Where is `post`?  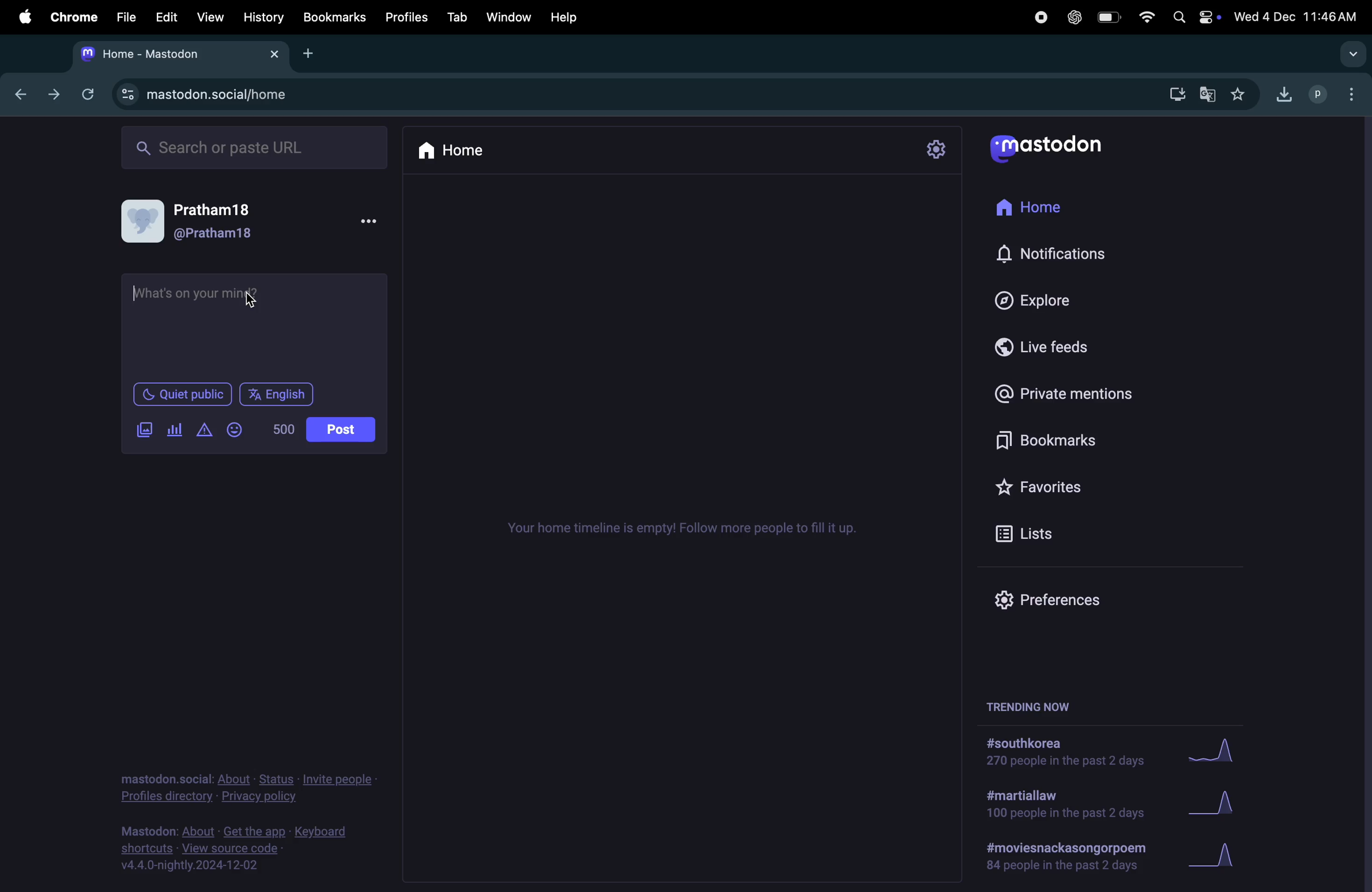
post is located at coordinates (341, 429).